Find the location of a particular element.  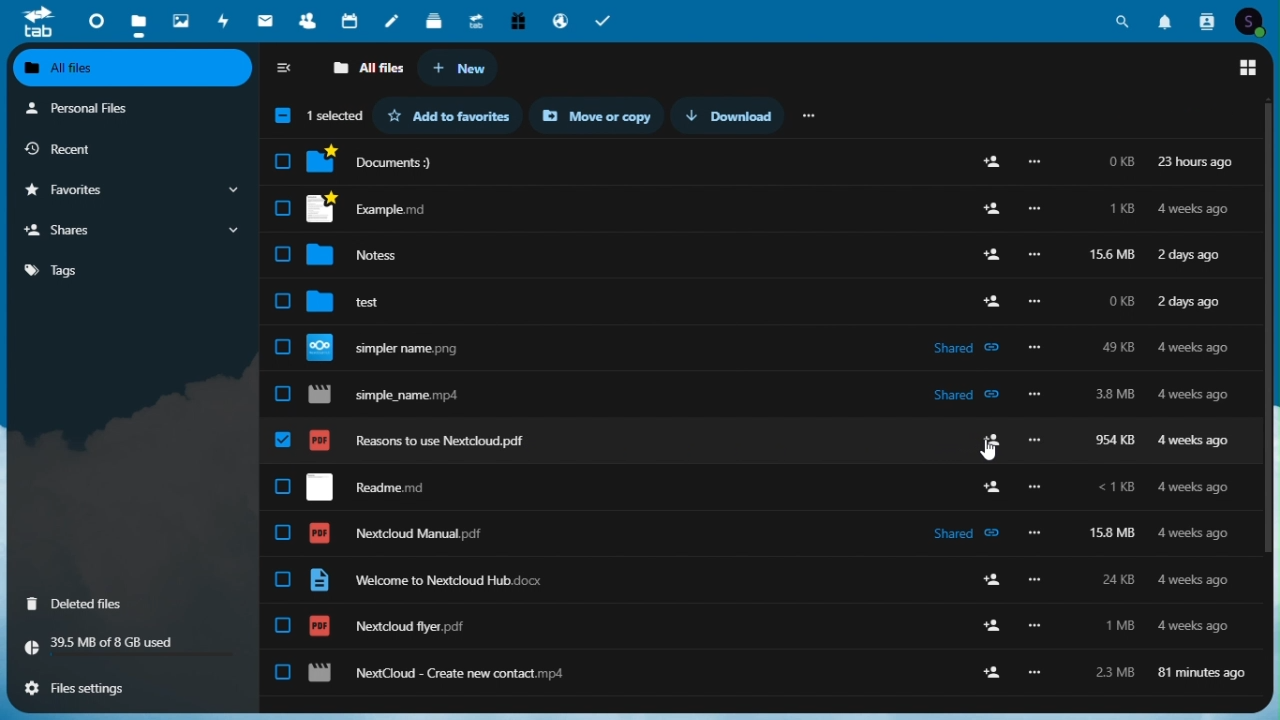

more options is located at coordinates (1036, 439).